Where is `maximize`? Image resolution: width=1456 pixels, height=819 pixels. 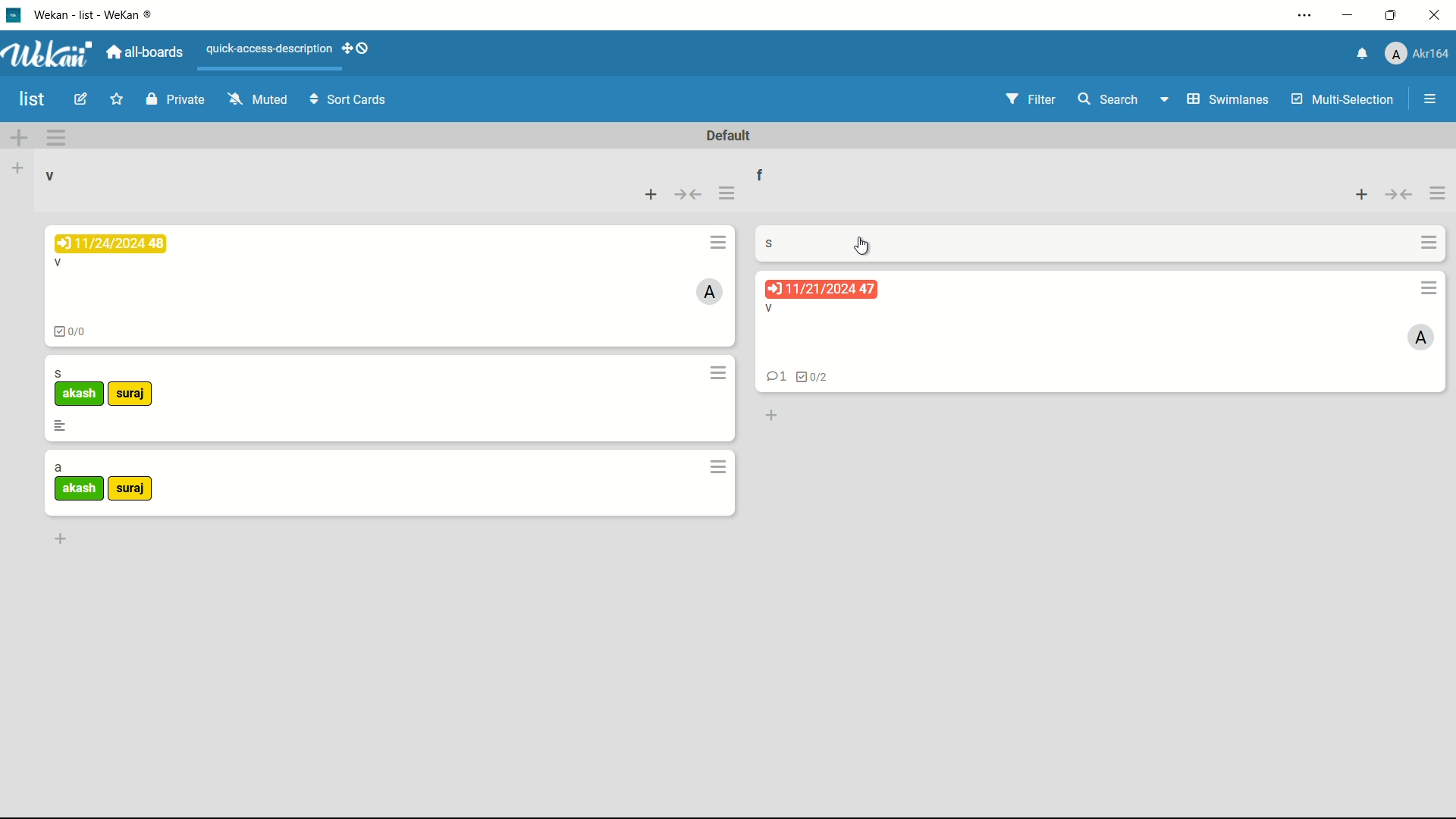 maximize is located at coordinates (1391, 16).